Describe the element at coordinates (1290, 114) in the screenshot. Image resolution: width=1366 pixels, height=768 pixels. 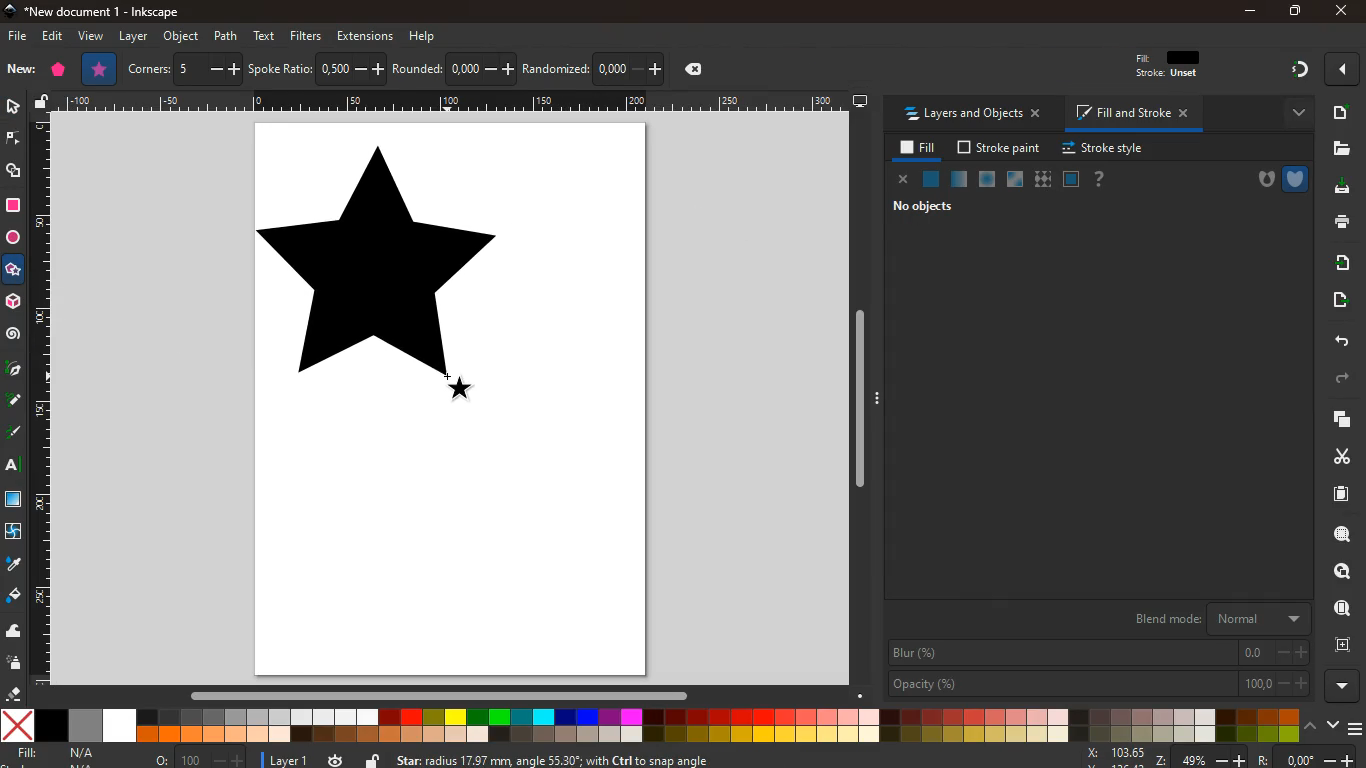
I see `more` at that location.